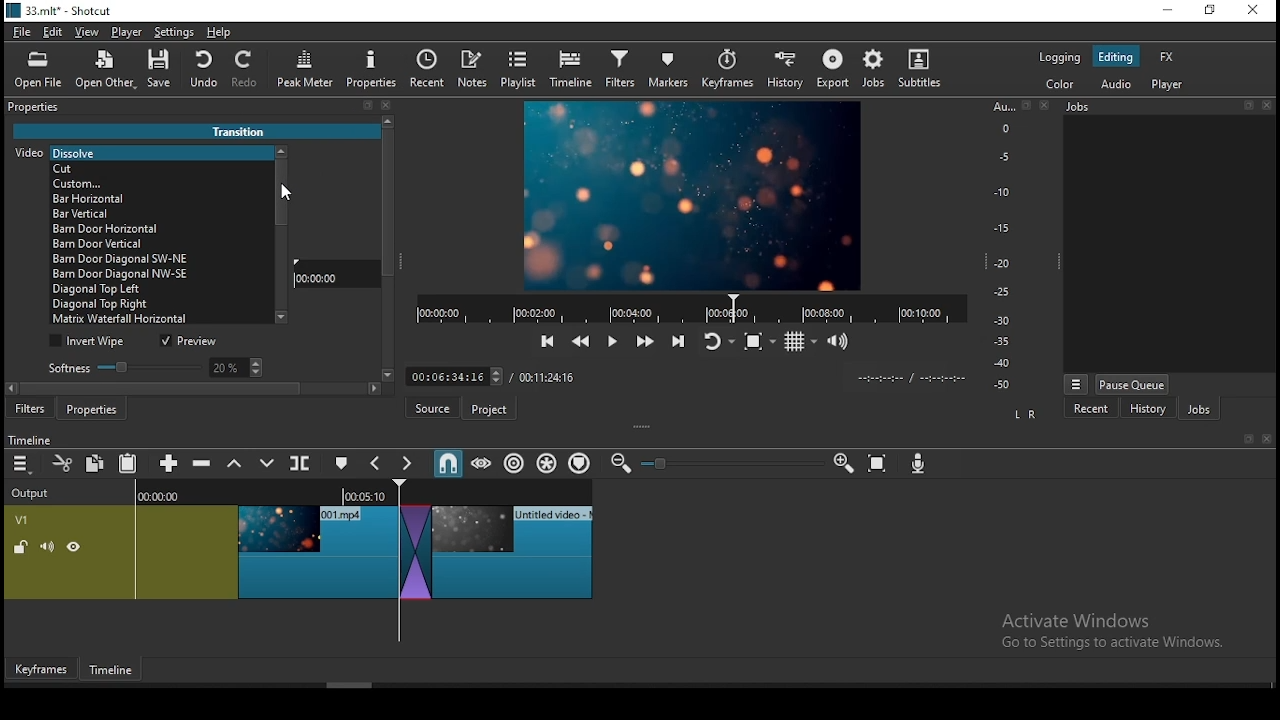 The height and width of the screenshot is (720, 1280). I want to click on video track, so click(298, 547).